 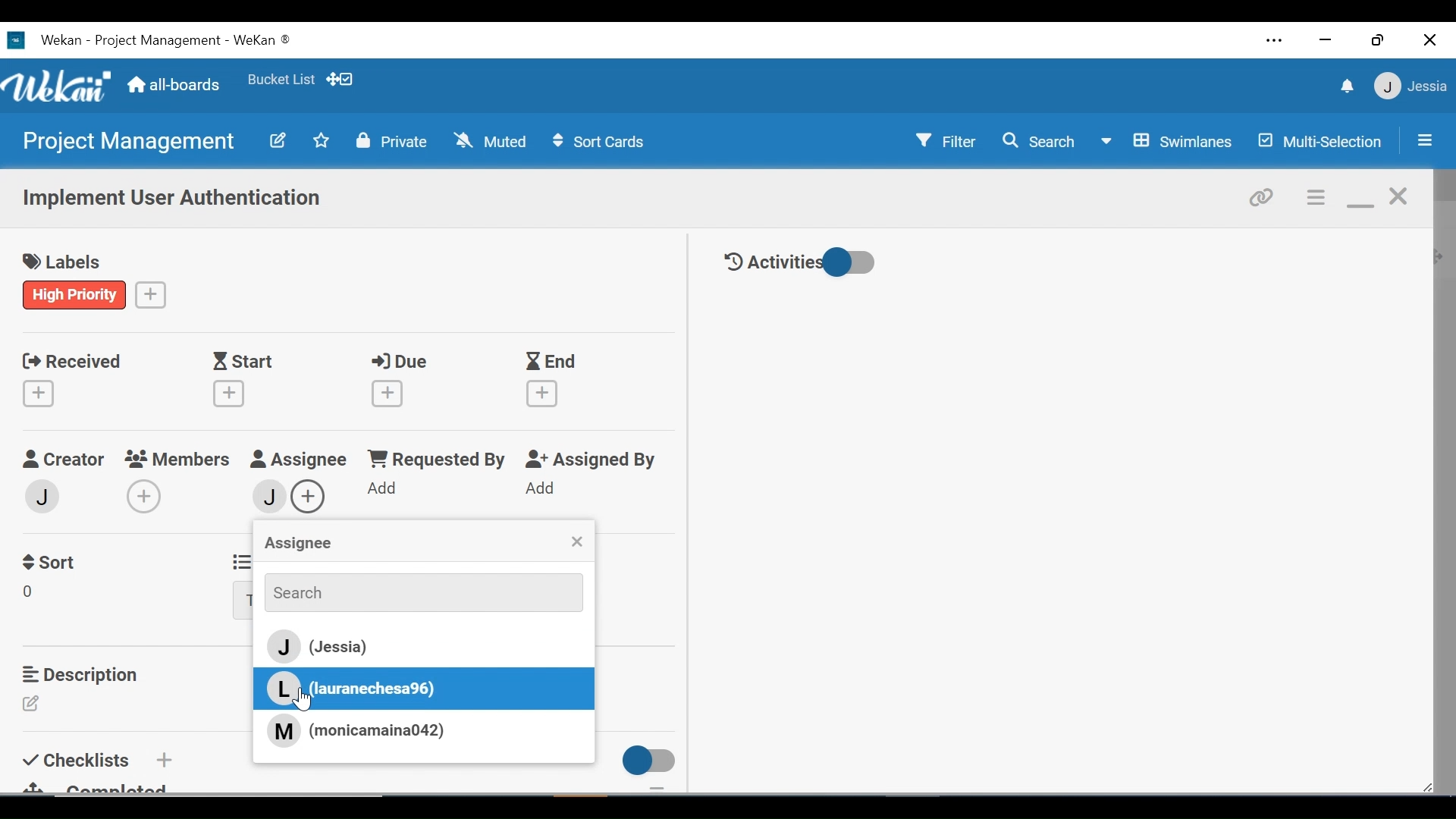 What do you see at coordinates (297, 544) in the screenshot?
I see `Assignee` at bounding box center [297, 544].